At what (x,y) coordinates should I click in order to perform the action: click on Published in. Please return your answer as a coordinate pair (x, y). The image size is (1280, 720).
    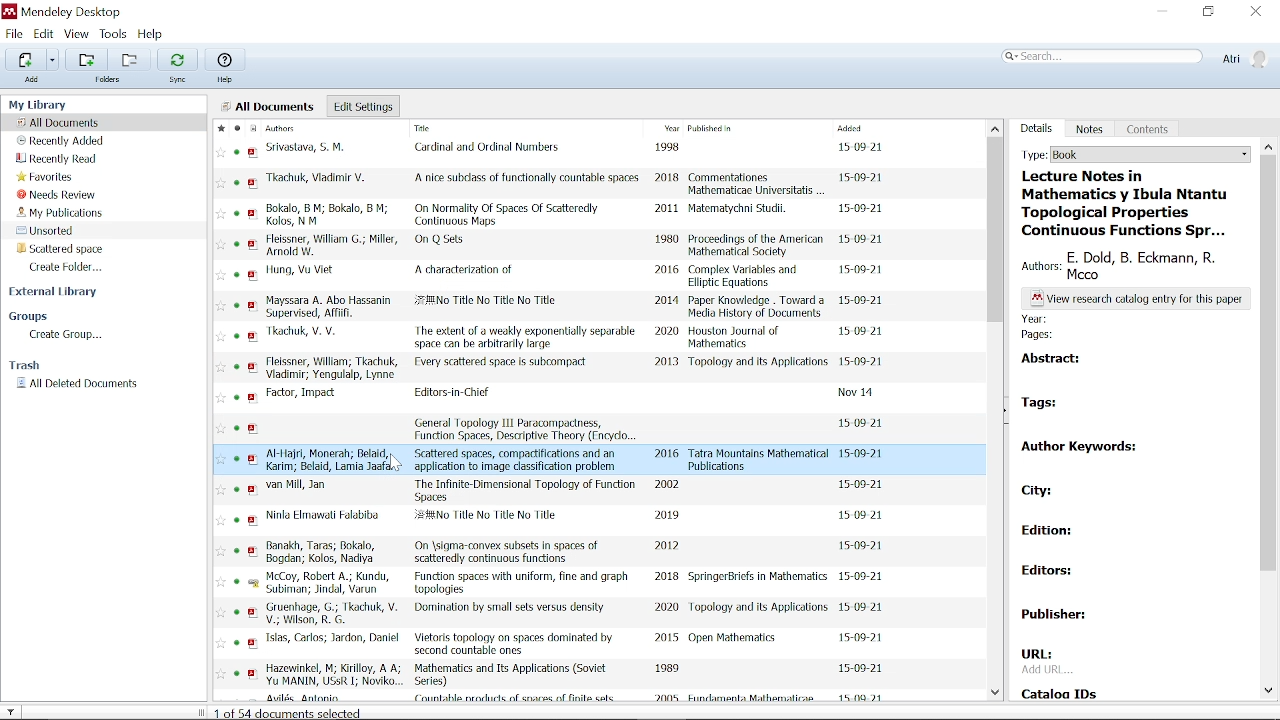
    Looking at the image, I should click on (747, 130).